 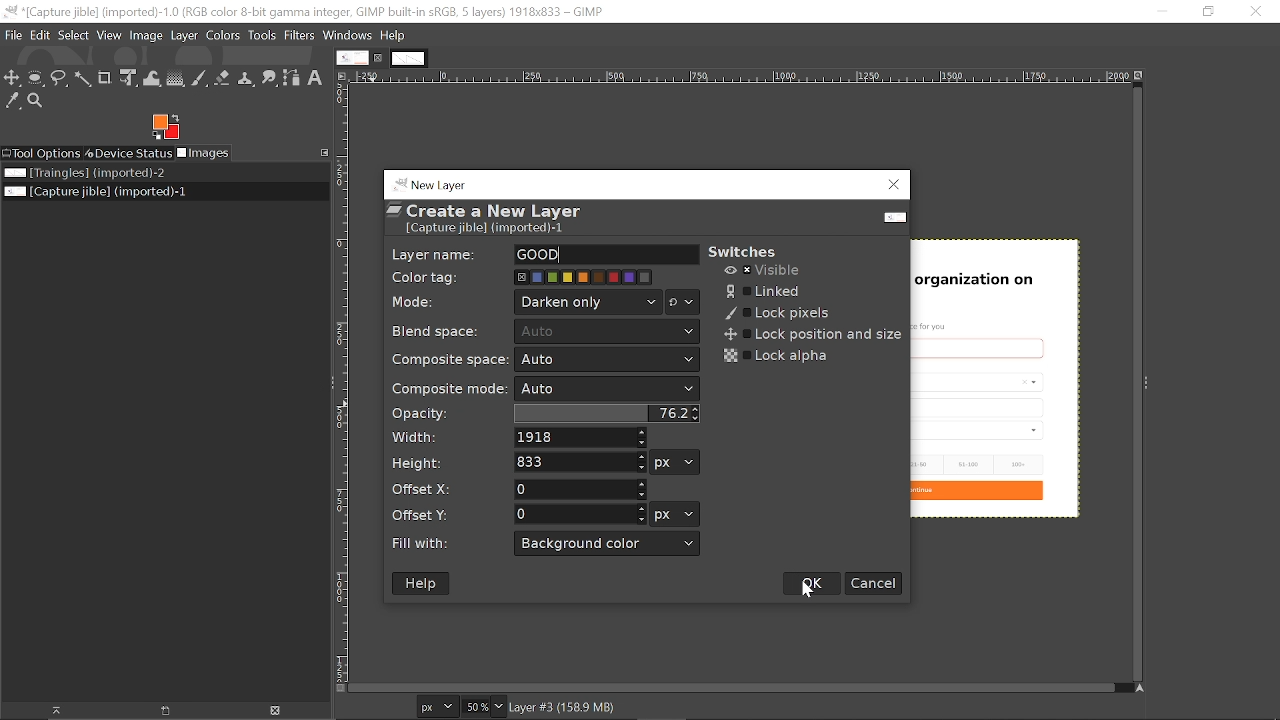 What do you see at coordinates (38, 35) in the screenshot?
I see `Edit` at bounding box center [38, 35].